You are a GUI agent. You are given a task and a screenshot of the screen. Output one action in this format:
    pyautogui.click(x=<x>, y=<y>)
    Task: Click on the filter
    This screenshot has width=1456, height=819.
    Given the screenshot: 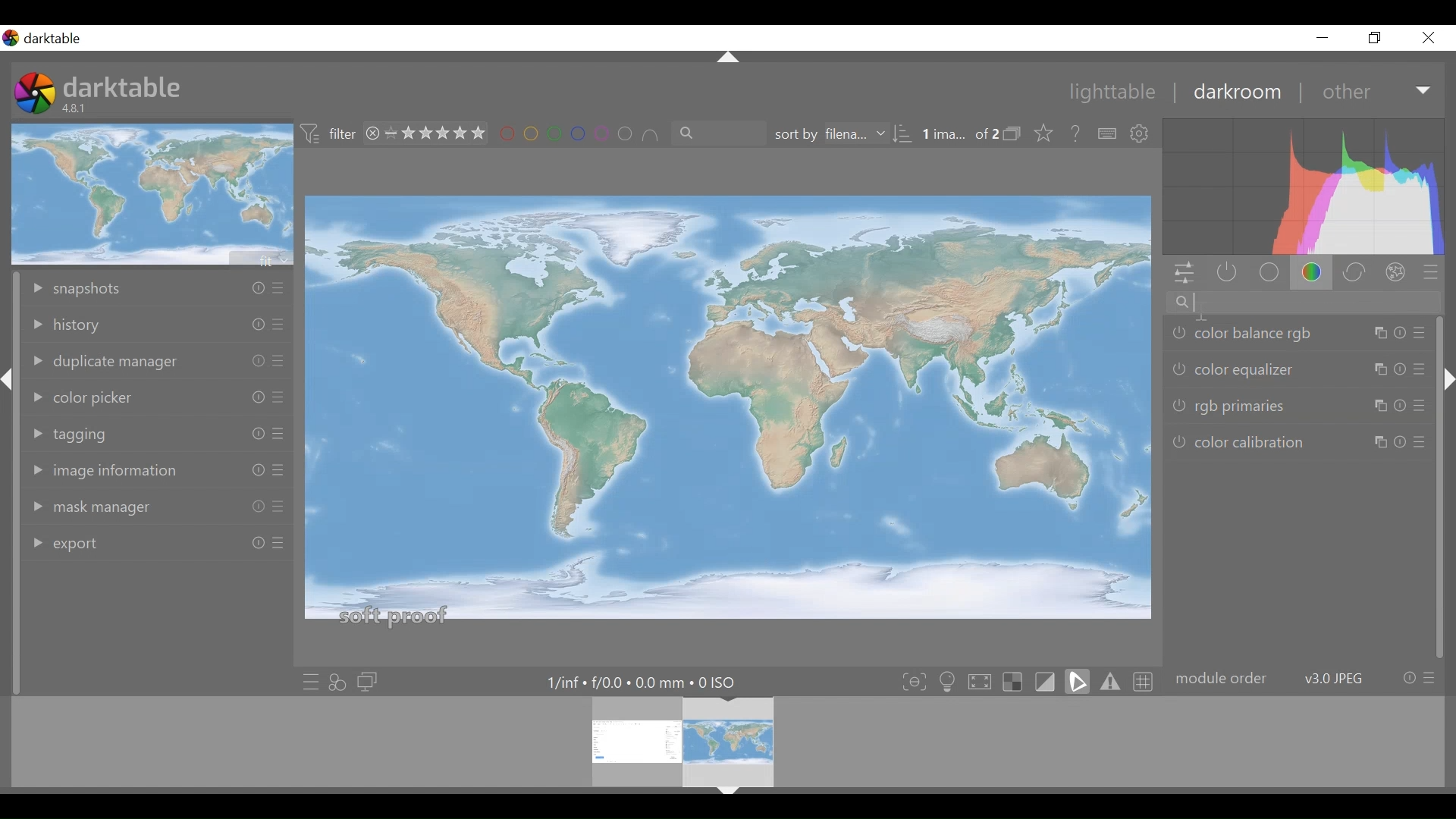 What is the action you would take?
    pyautogui.click(x=329, y=134)
    